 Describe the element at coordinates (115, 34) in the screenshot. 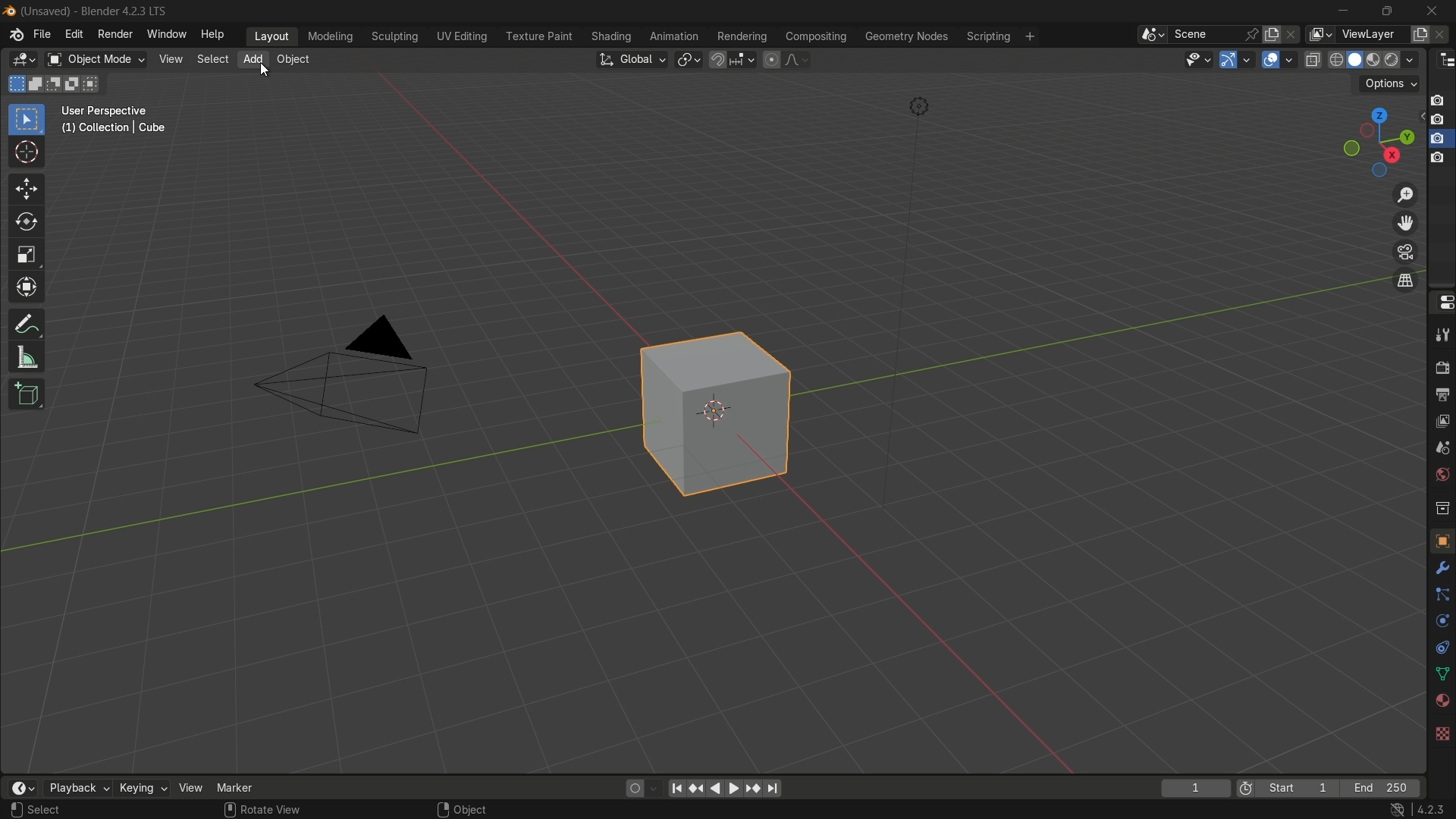

I see `render menu` at that location.